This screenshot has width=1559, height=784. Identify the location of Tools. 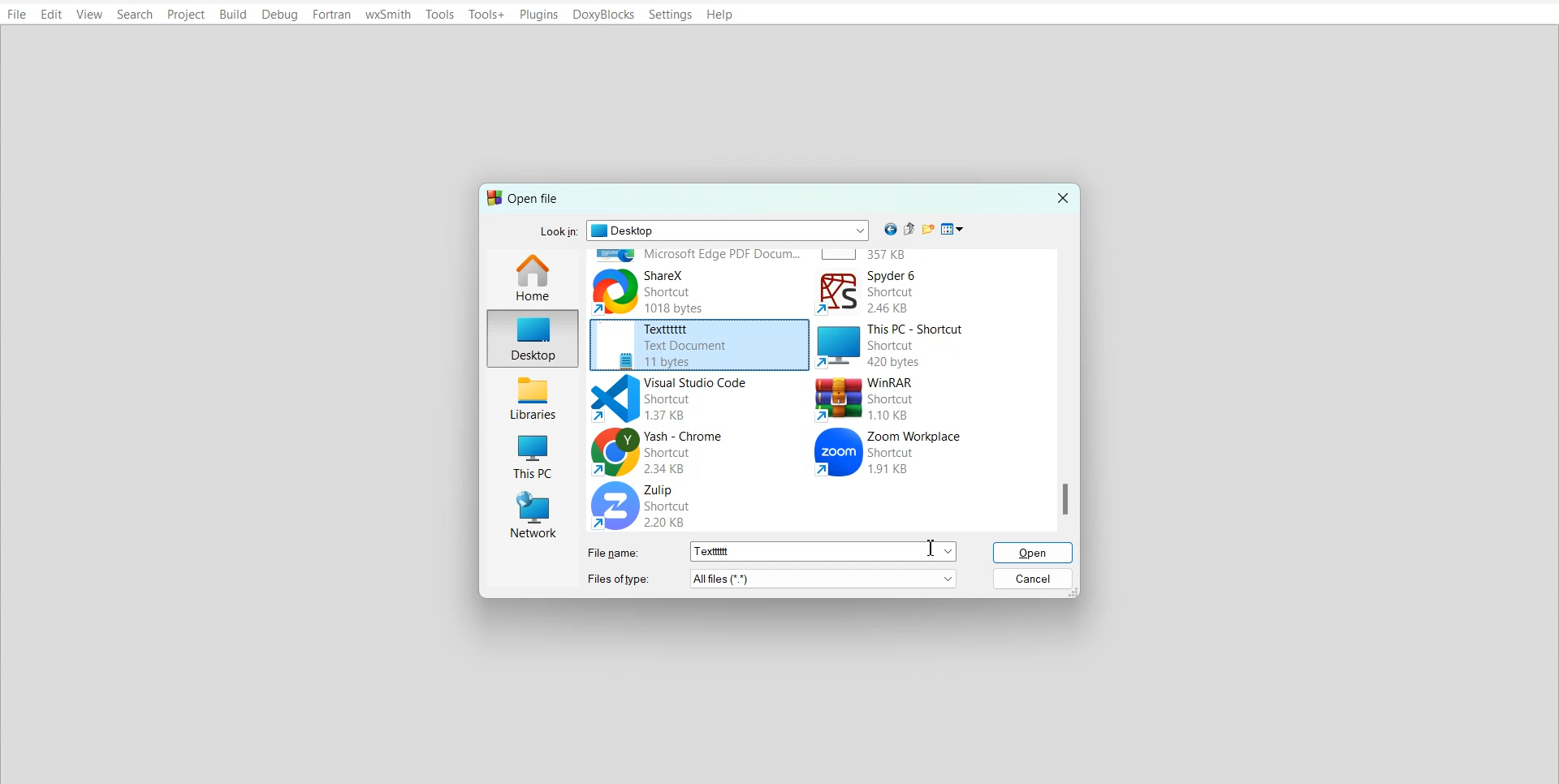
(440, 14).